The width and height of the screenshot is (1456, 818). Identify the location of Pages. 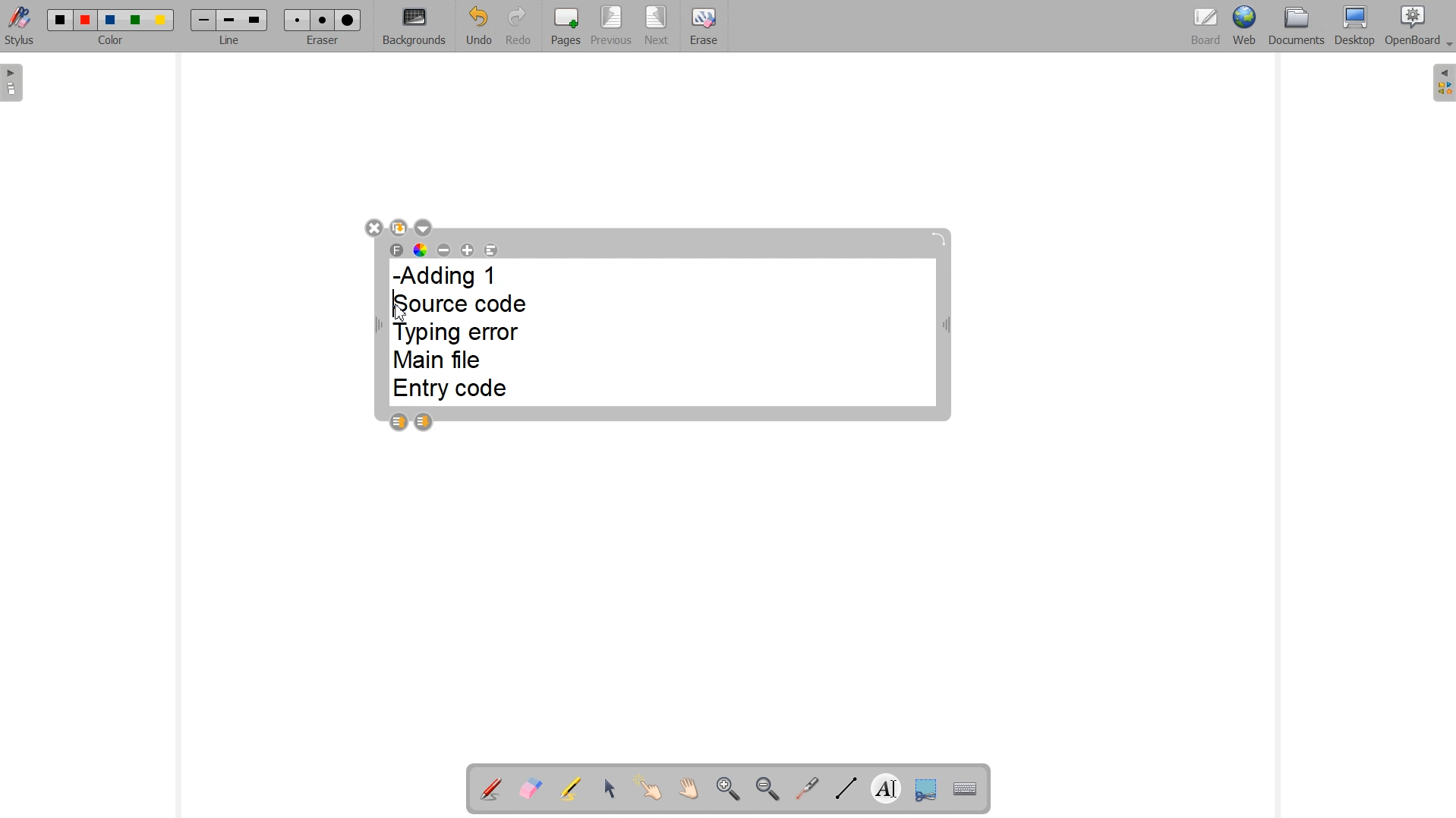
(566, 26).